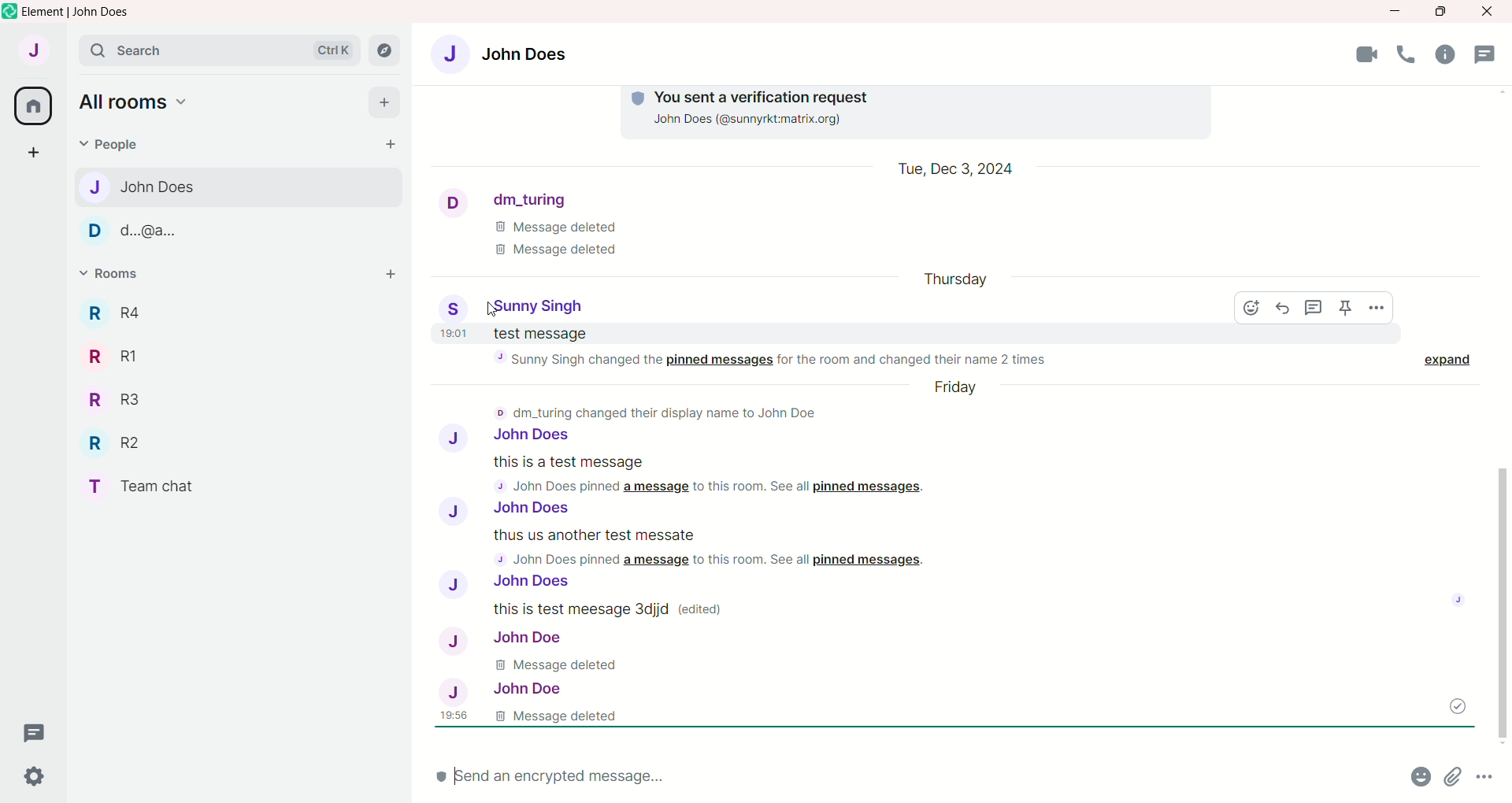 The width and height of the screenshot is (1512, 803). Describe the element at coordinates (947, 168) in the screenshot. I see `Date` at that location.